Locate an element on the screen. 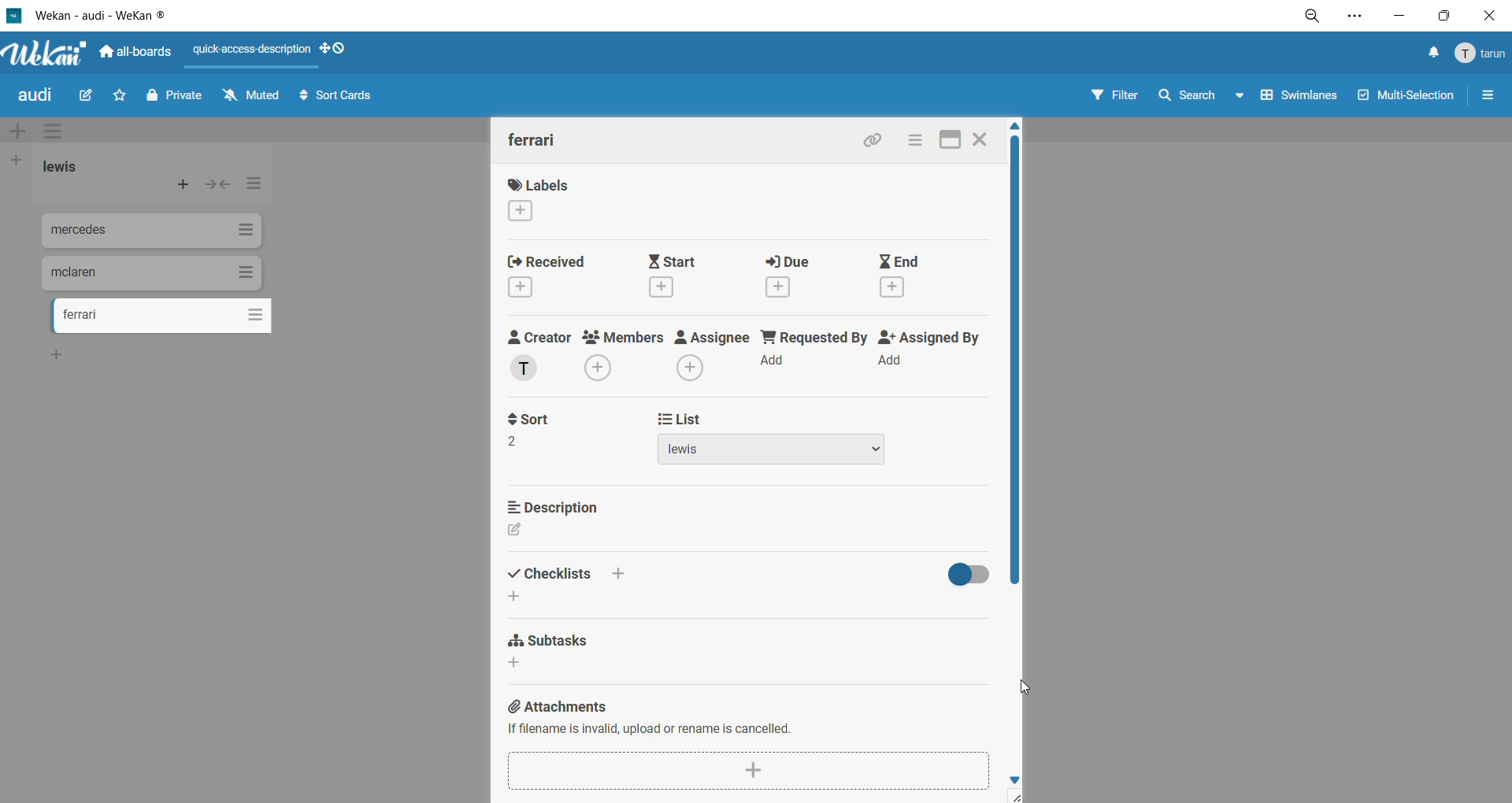 The width and height of the screenshot is (1512, 803). assigned by is located at coordinates (931, 351).